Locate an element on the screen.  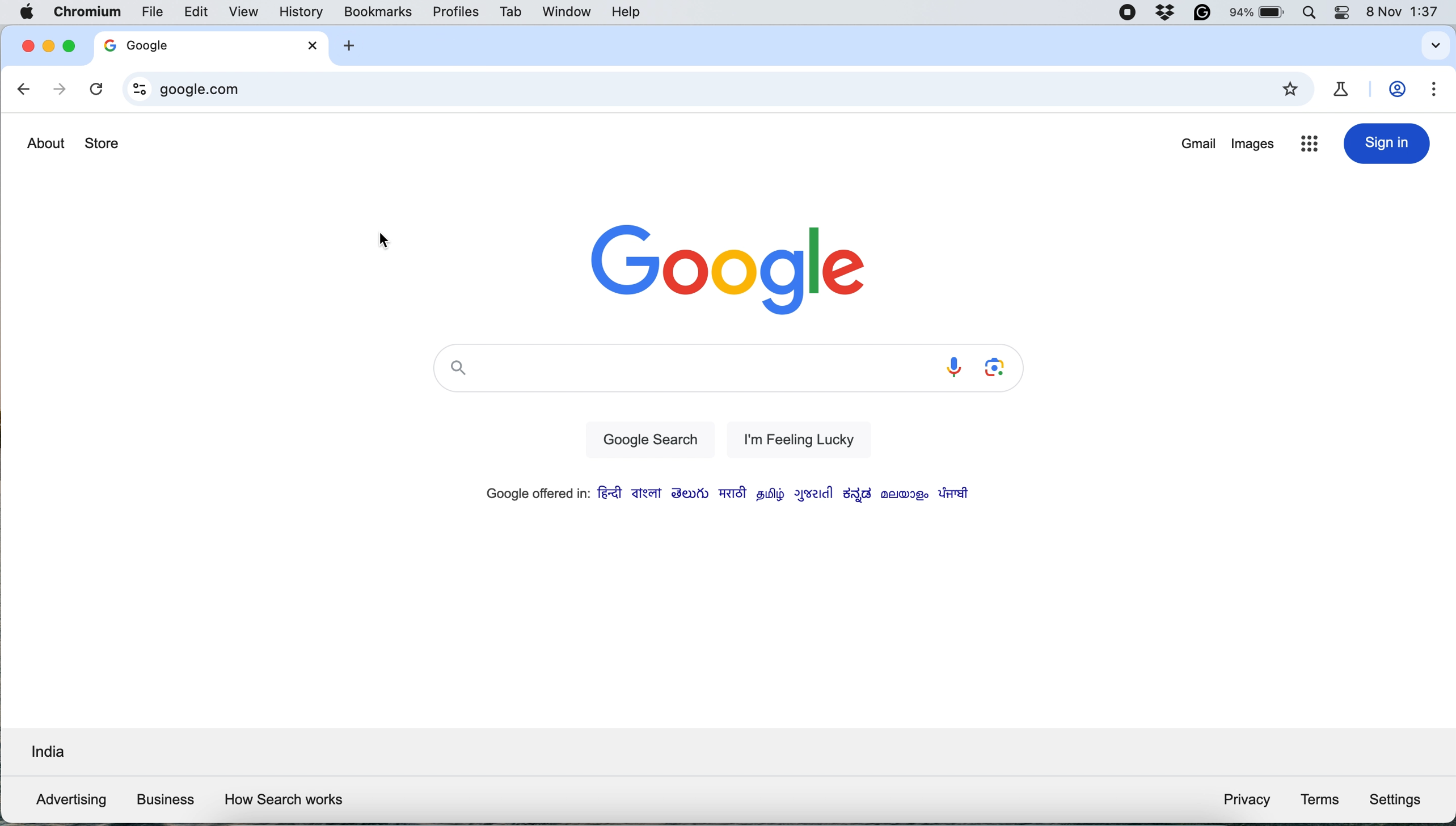
profile is located at coordinates (1400, 90).